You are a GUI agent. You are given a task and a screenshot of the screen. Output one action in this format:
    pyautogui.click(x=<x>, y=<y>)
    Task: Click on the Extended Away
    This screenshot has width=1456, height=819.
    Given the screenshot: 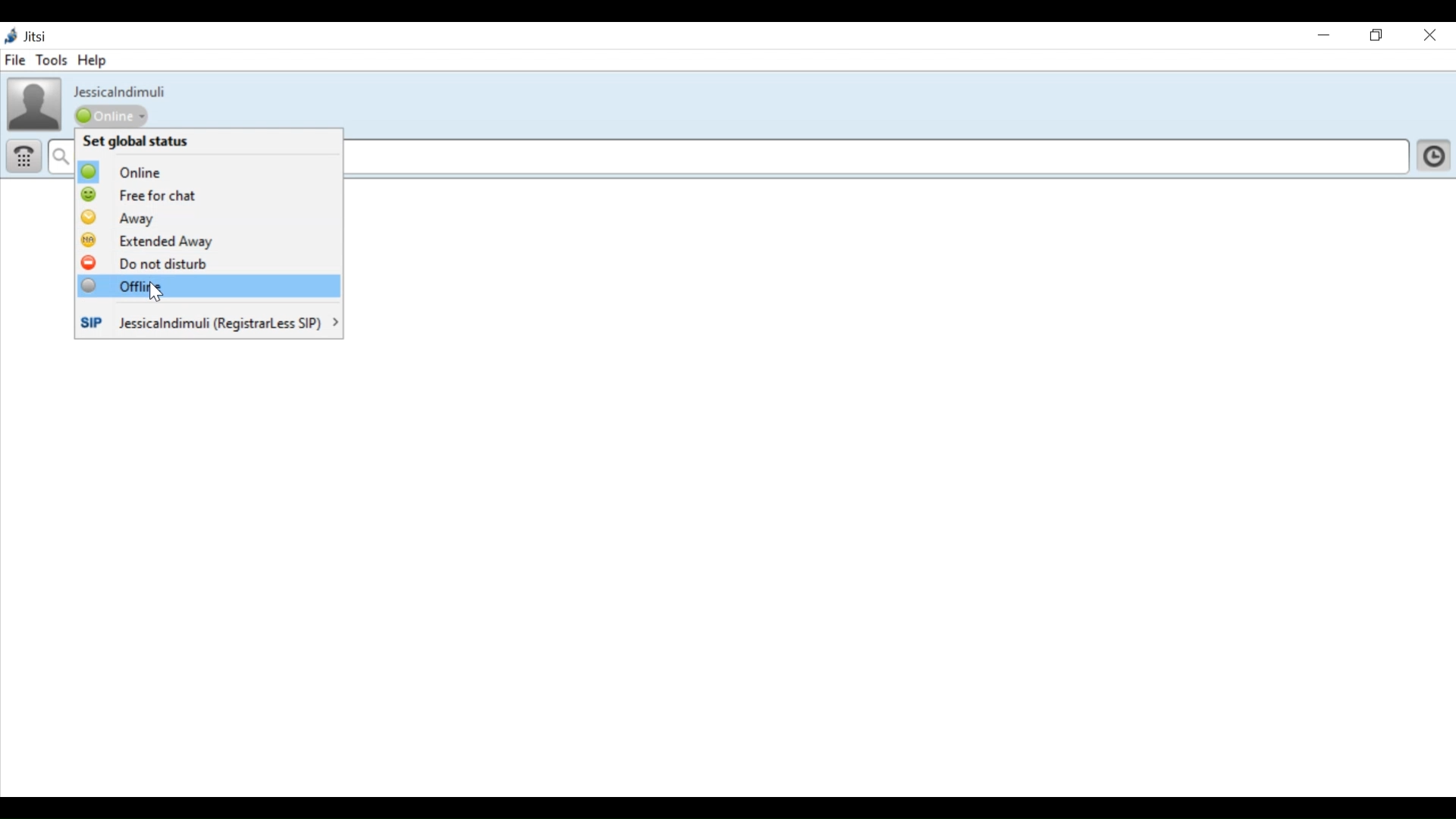 What is the action you would take?
    pyautogui.click(x=209, y=243)
    